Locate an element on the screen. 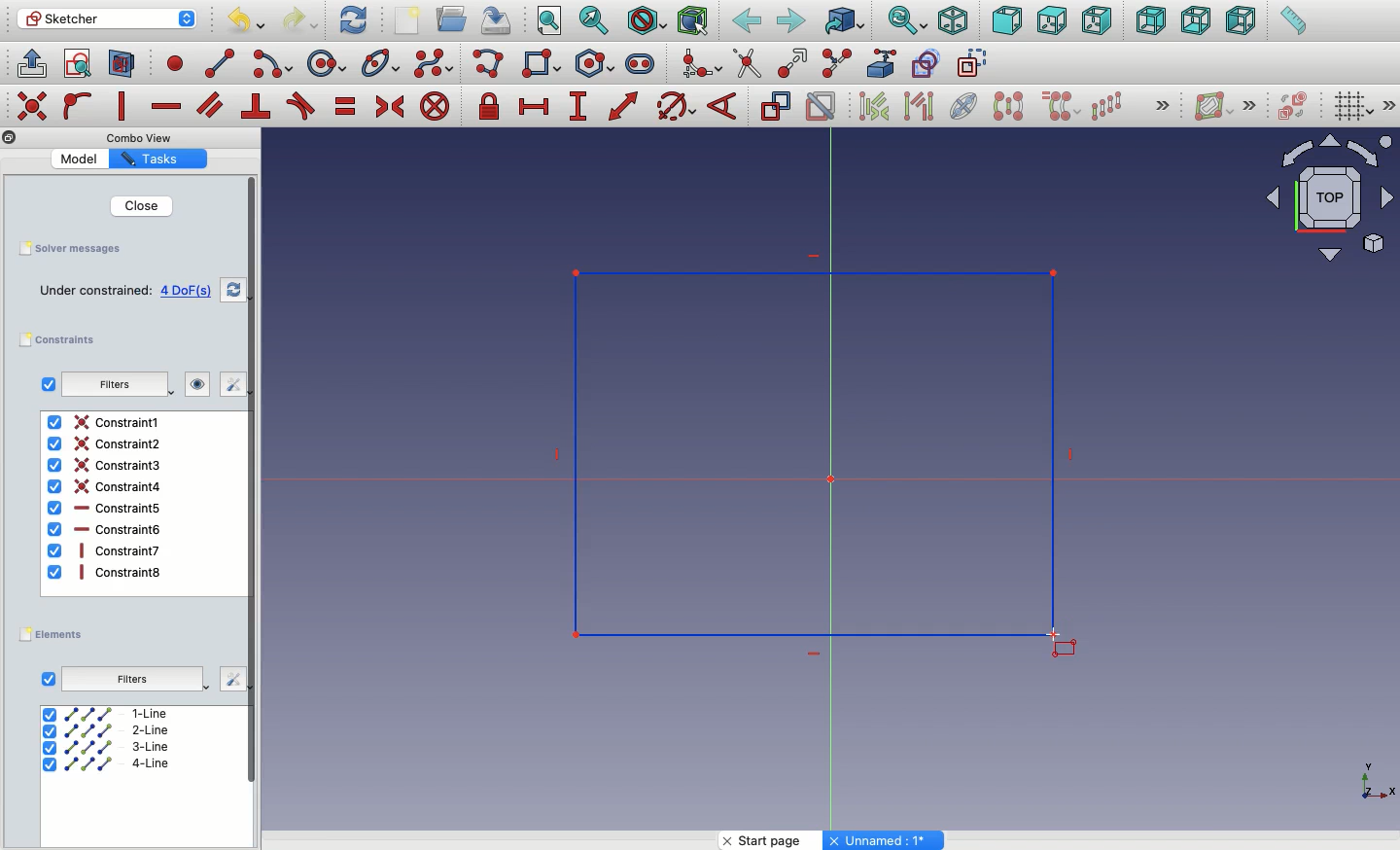 Image resolution: width=1400 pixels, height=850 pixels. Rectangle is located at coordinates (545, 66).